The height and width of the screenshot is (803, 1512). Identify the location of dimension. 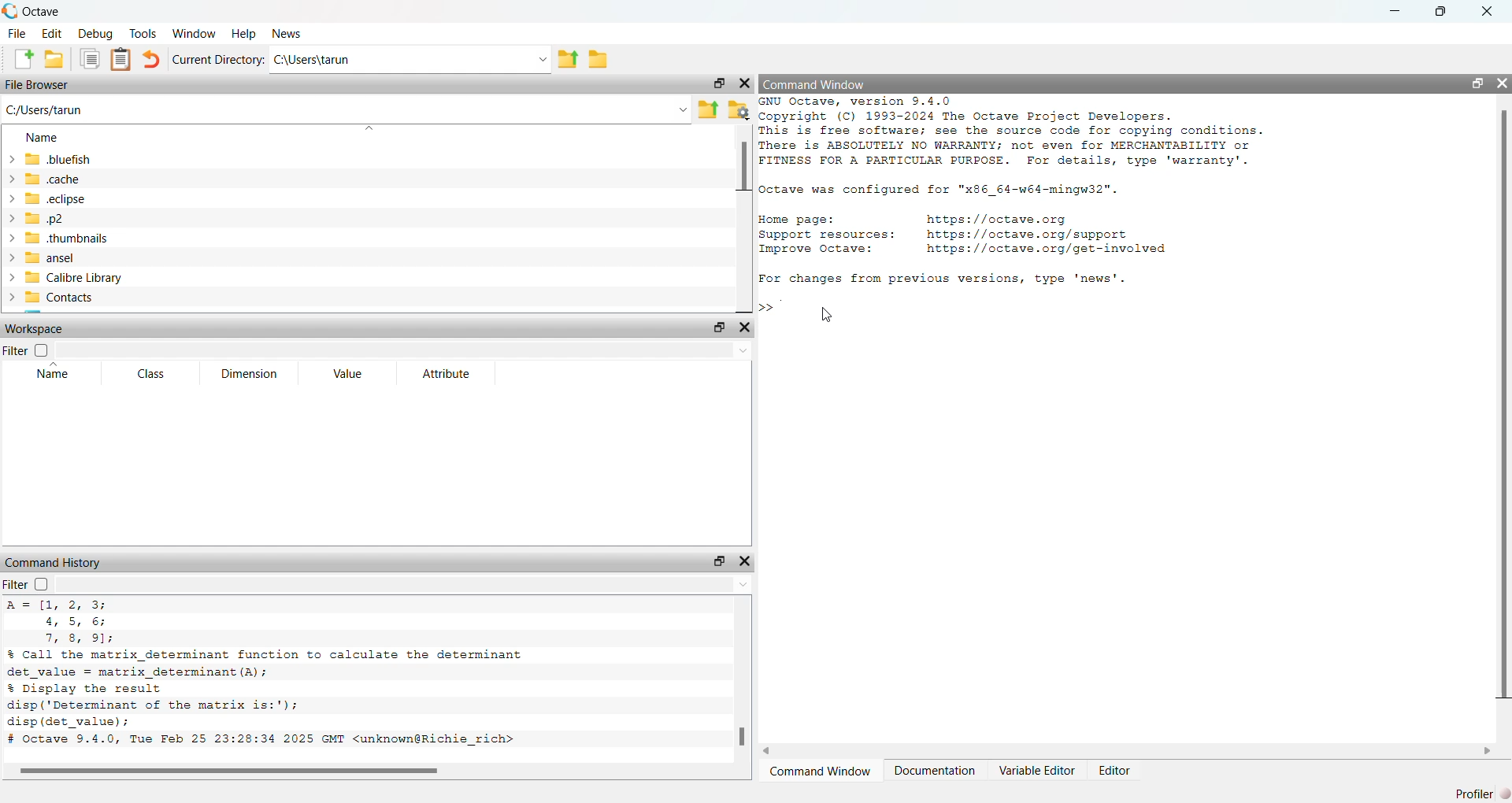
(251, 375).